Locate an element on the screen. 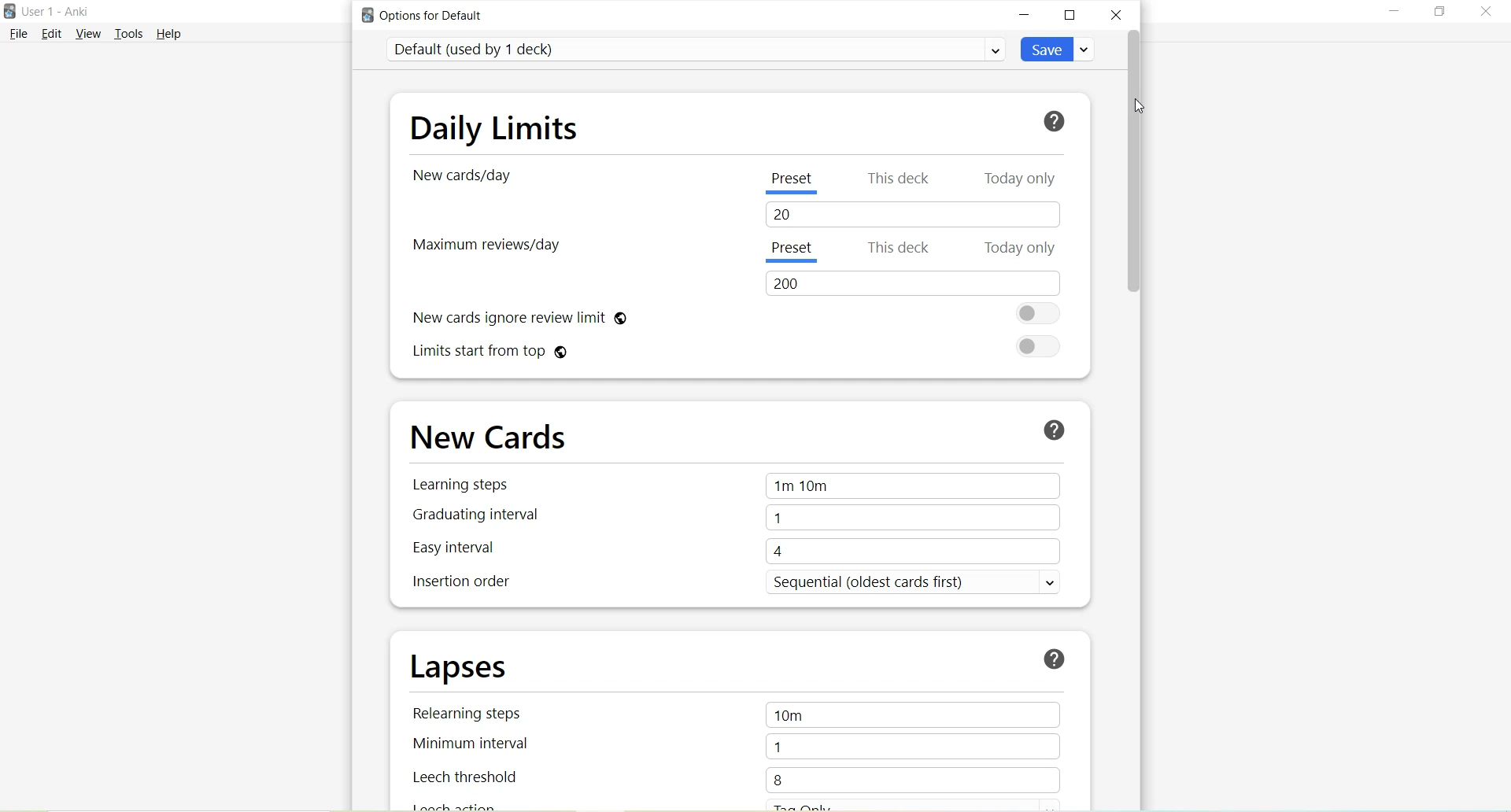 Image resolution: width=1511 pixels, height=812 pixels. Preset is located at coordinates (792, 253).